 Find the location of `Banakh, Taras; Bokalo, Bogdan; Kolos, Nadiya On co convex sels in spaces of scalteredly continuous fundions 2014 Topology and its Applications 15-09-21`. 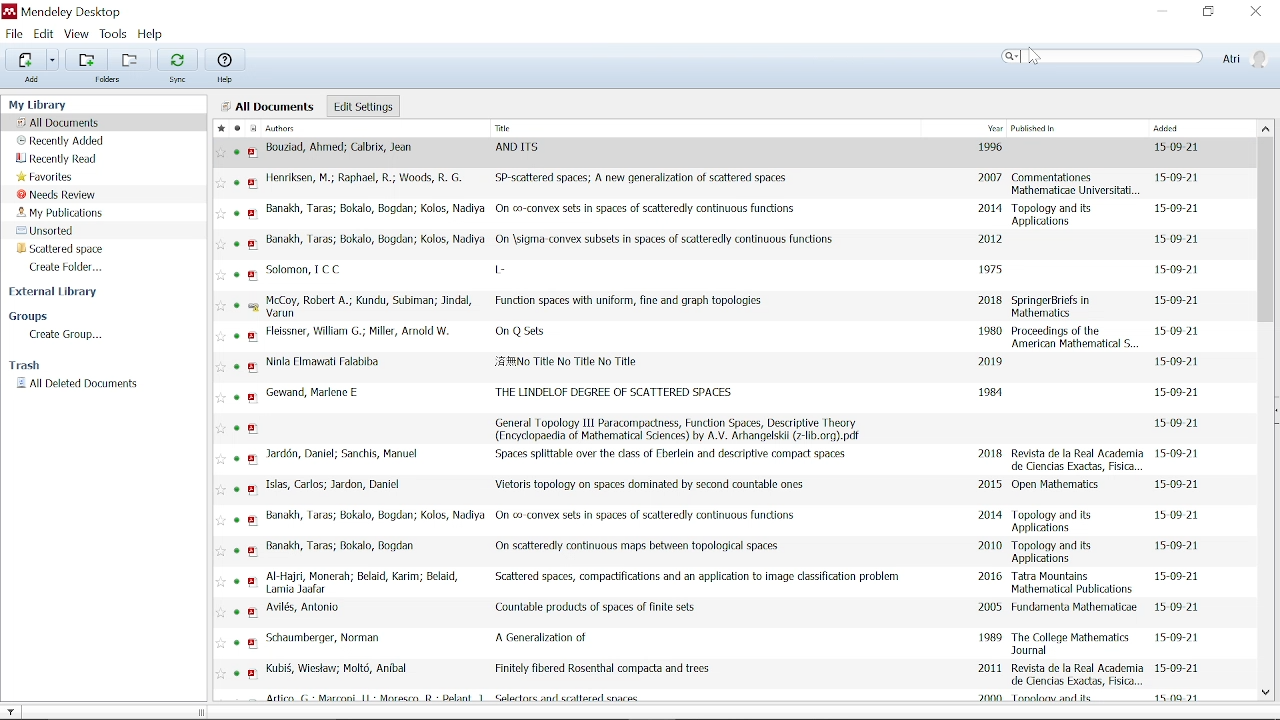

Banakh, Taras; Bokalo, Bogdan; Kolos, Nadiya On co convex sels in spaces of scalteredly continuous fundions 2014 Topology and its Applications 15-09-21 is located at coordinates (727, 520).